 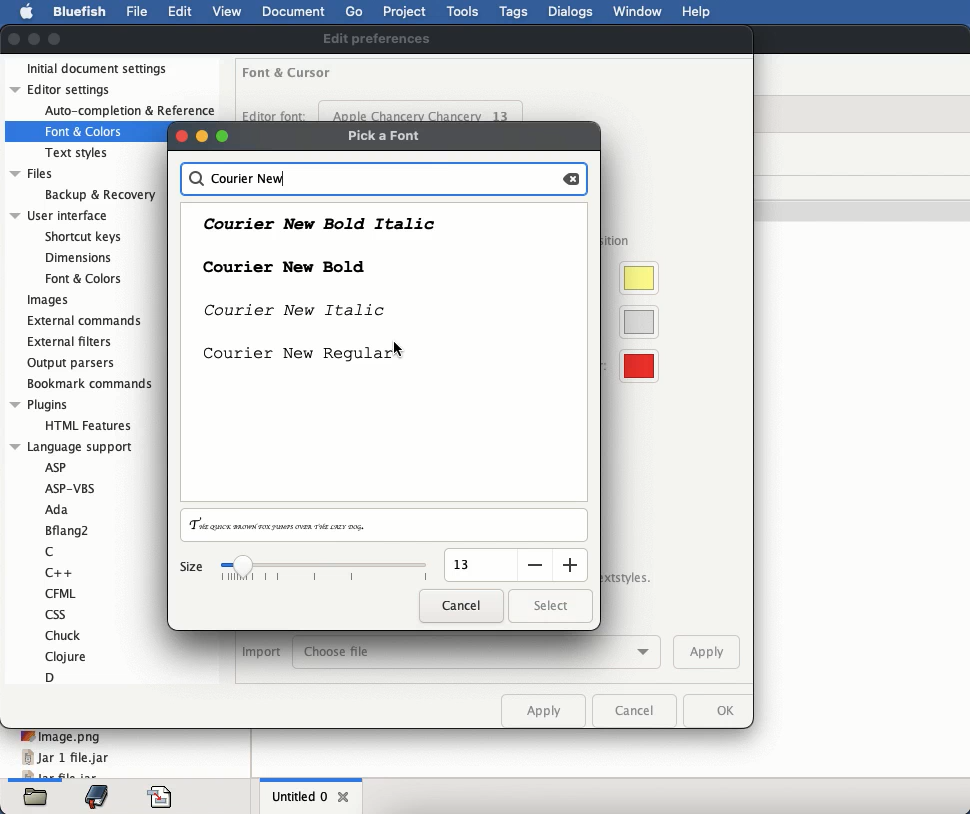 I want to click on editor font, so click(x=276, y=119).